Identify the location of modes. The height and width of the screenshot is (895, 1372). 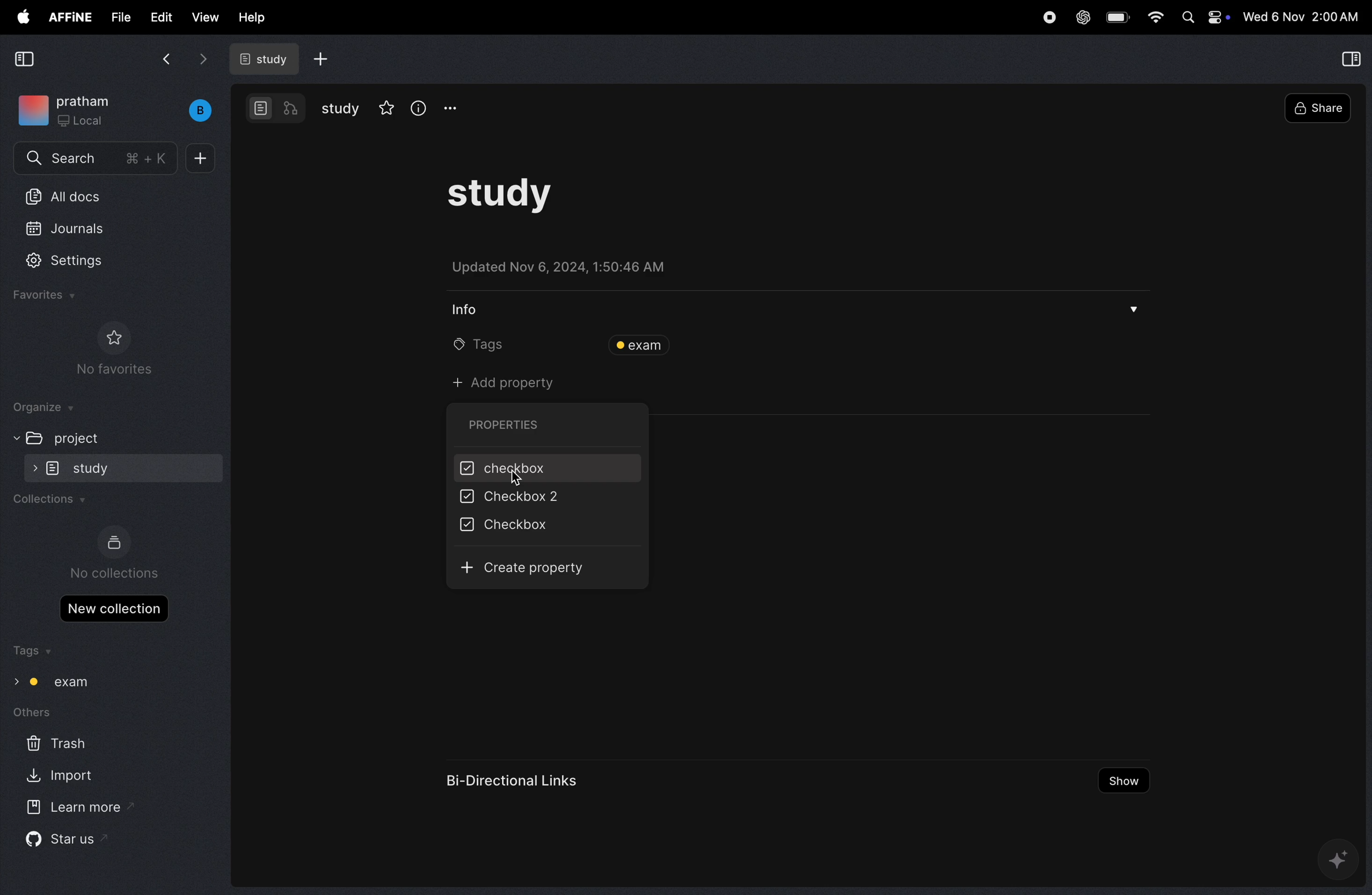
(273, 108).